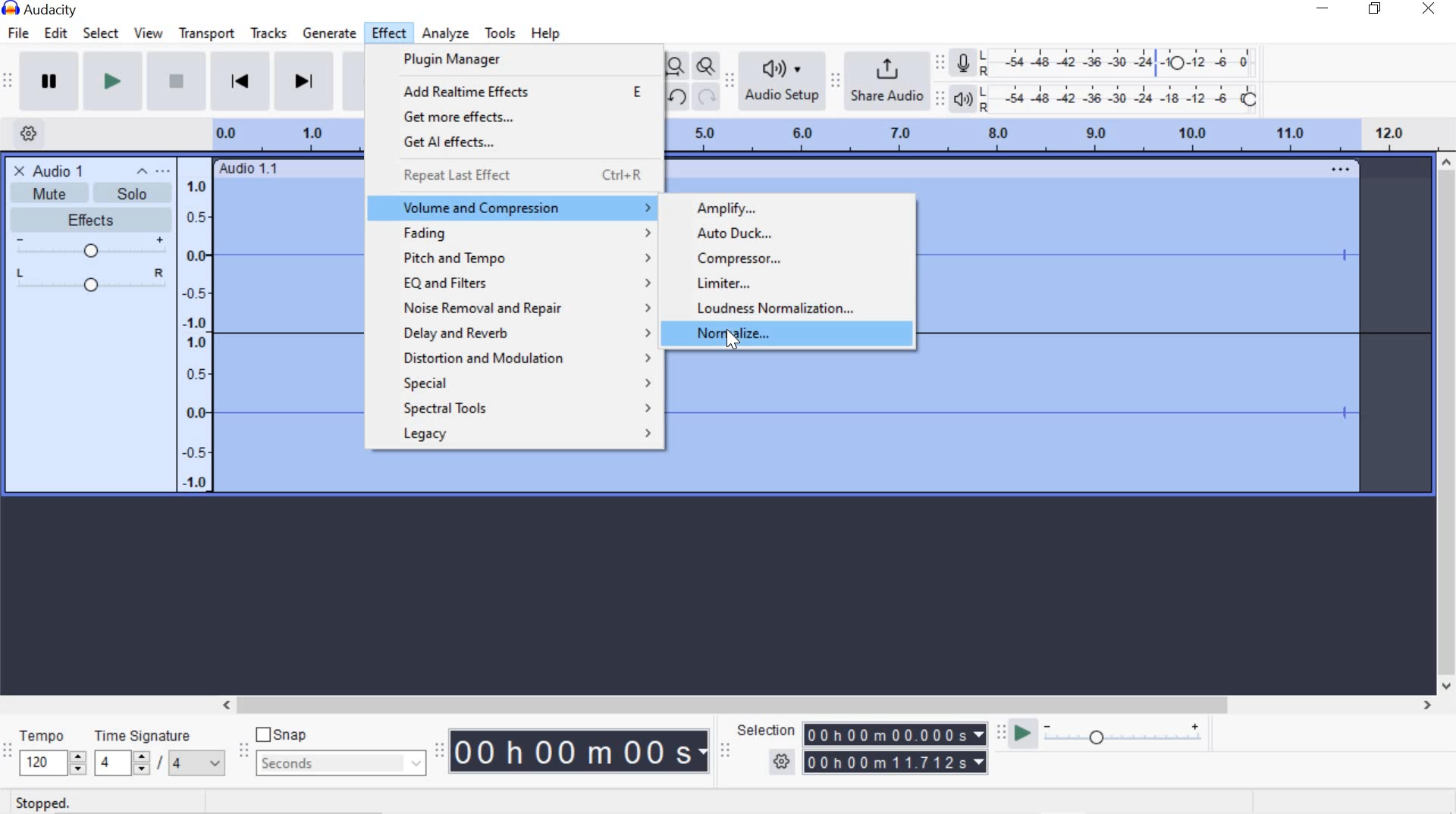  What do you see at coordinates (963, 61) in the screenshot?
I see `Record meter` at bounding box center [963, 61].